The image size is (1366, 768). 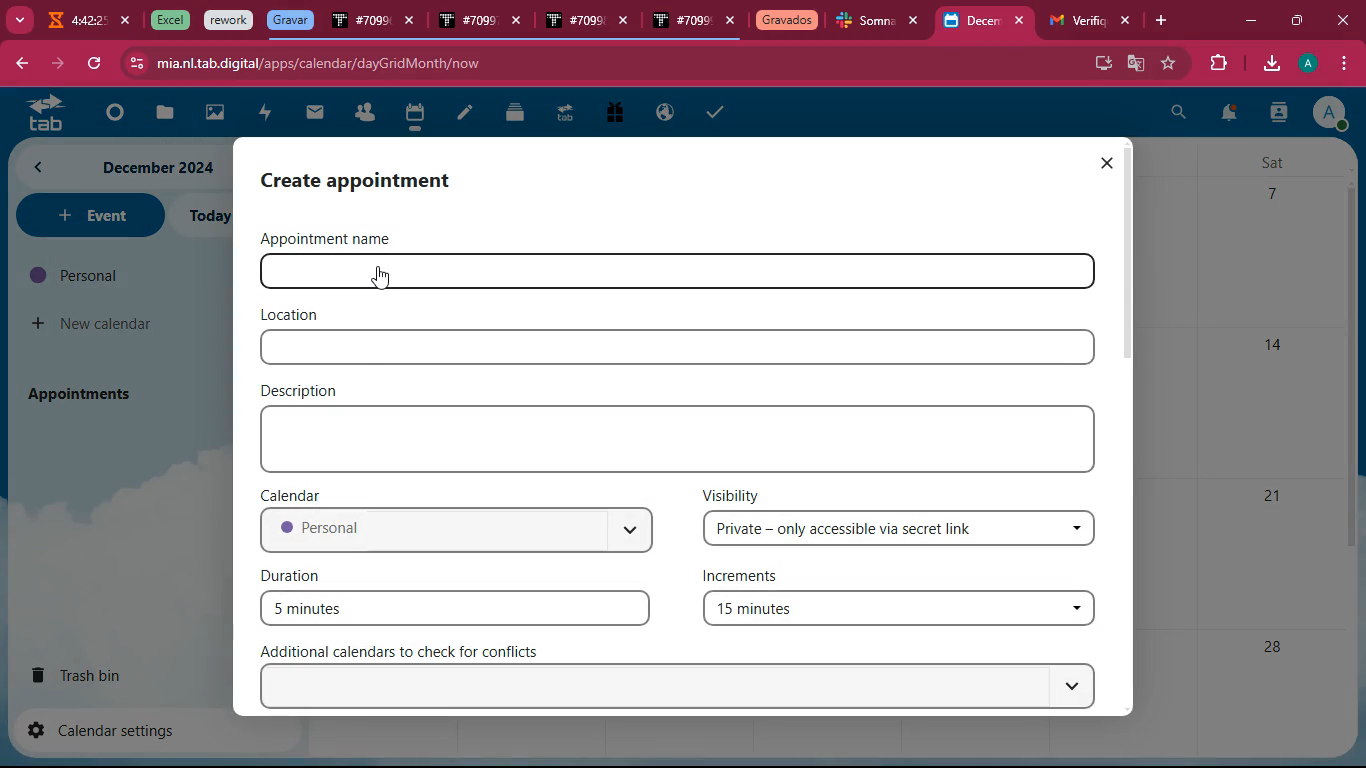 What do you see at coordinates (466, 22) in the screenshot?
I see `tab` at bounding box center [466, 22].